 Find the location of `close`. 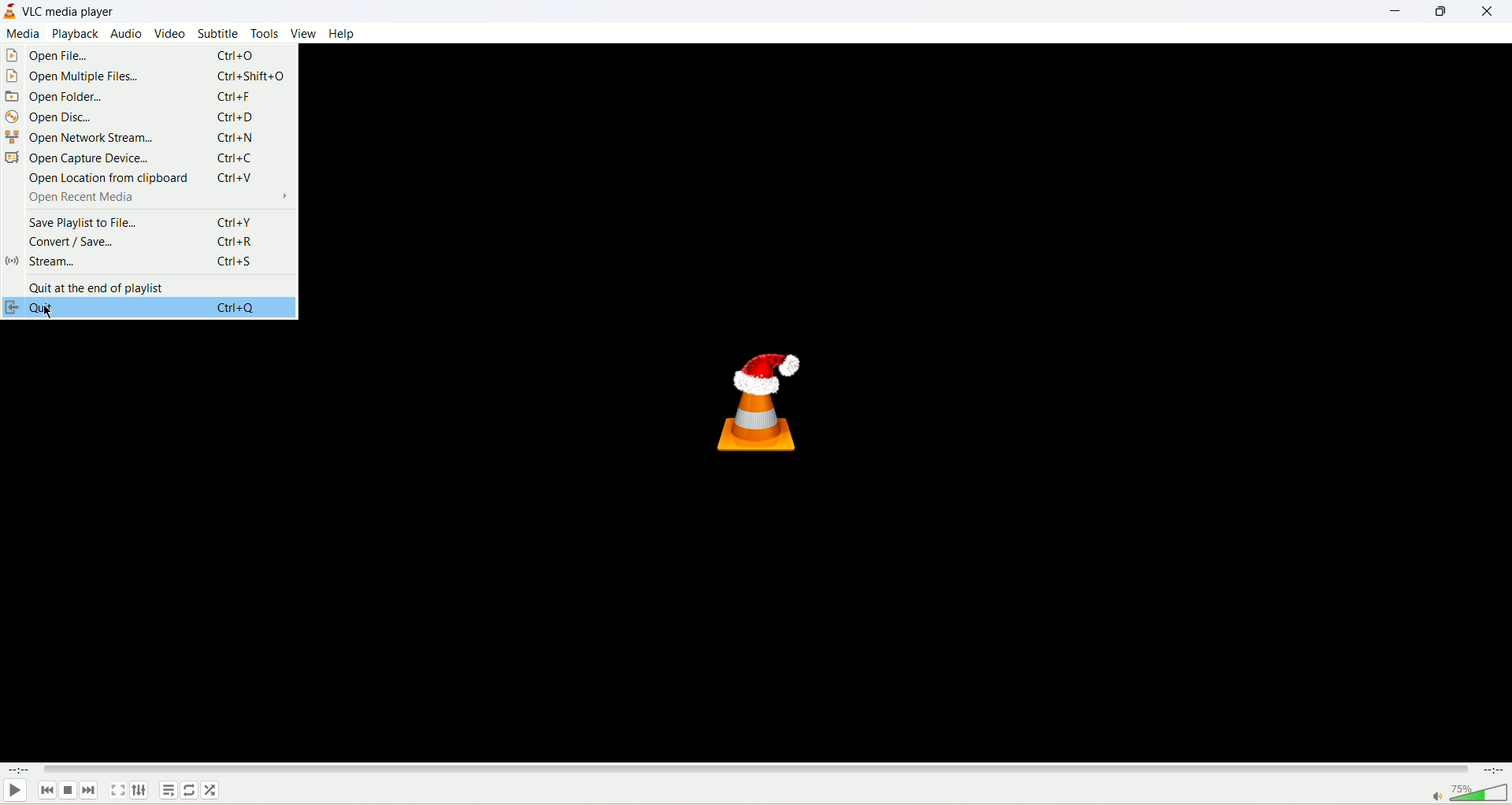

close is located at coordinates (1492, 11).